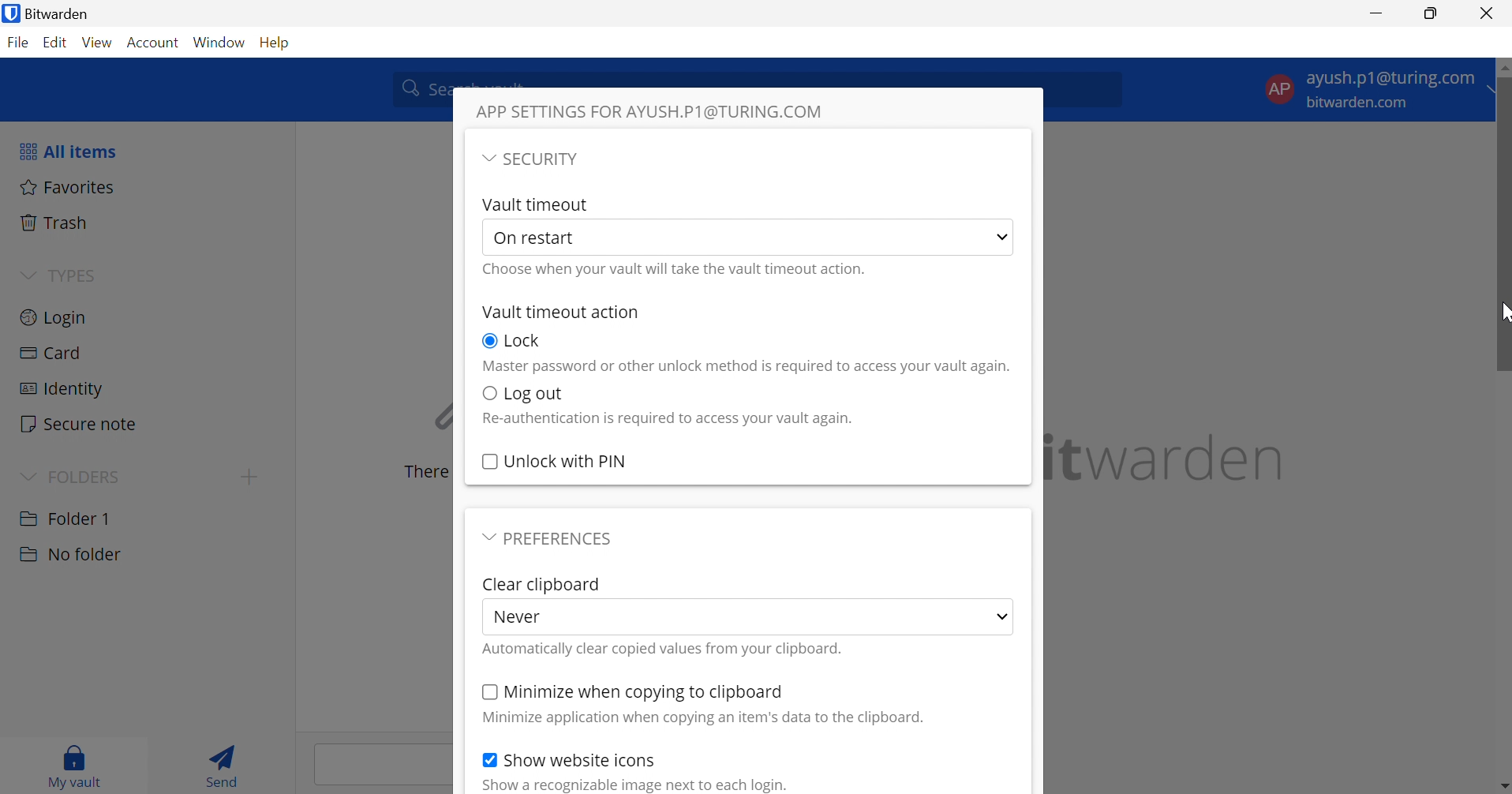  What do you see at coordinates (155, 43) in the screenshot?
I see `Account` at bounding box center [155, 43].